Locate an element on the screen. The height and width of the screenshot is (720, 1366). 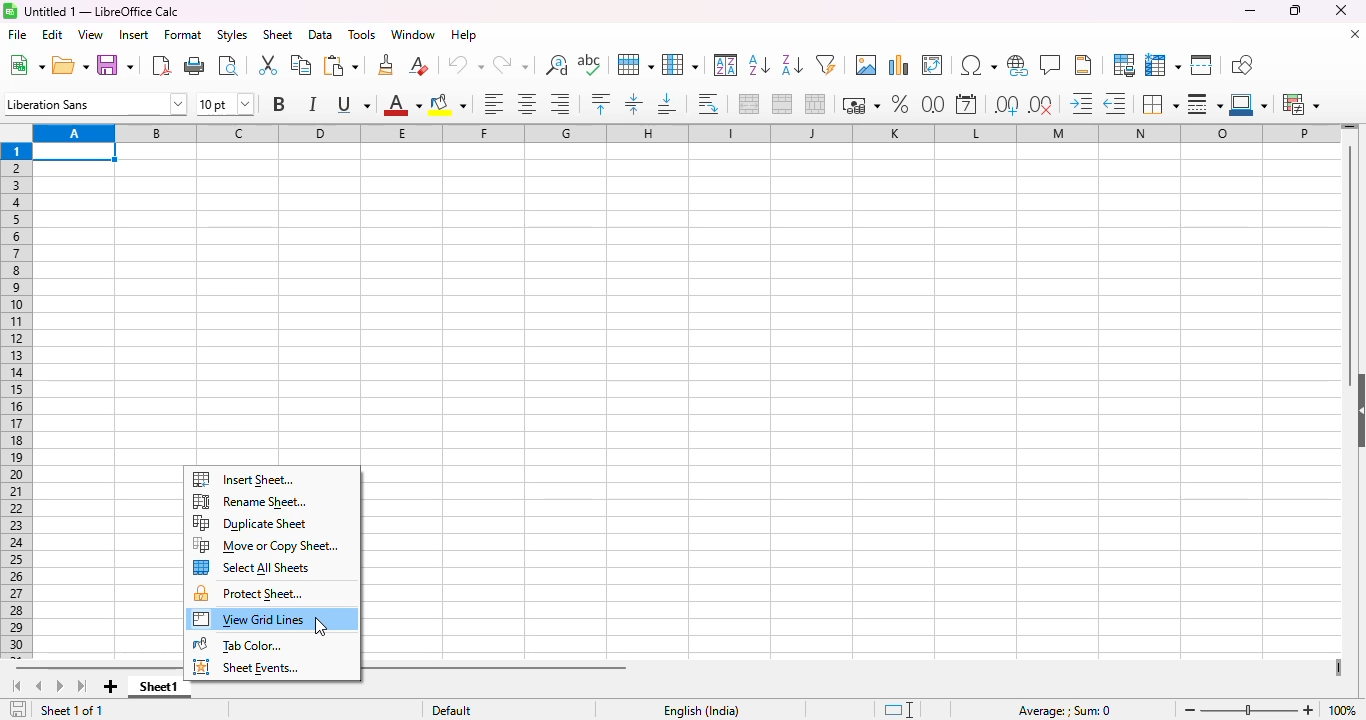
sheet events is located at coordinates (247, 668).